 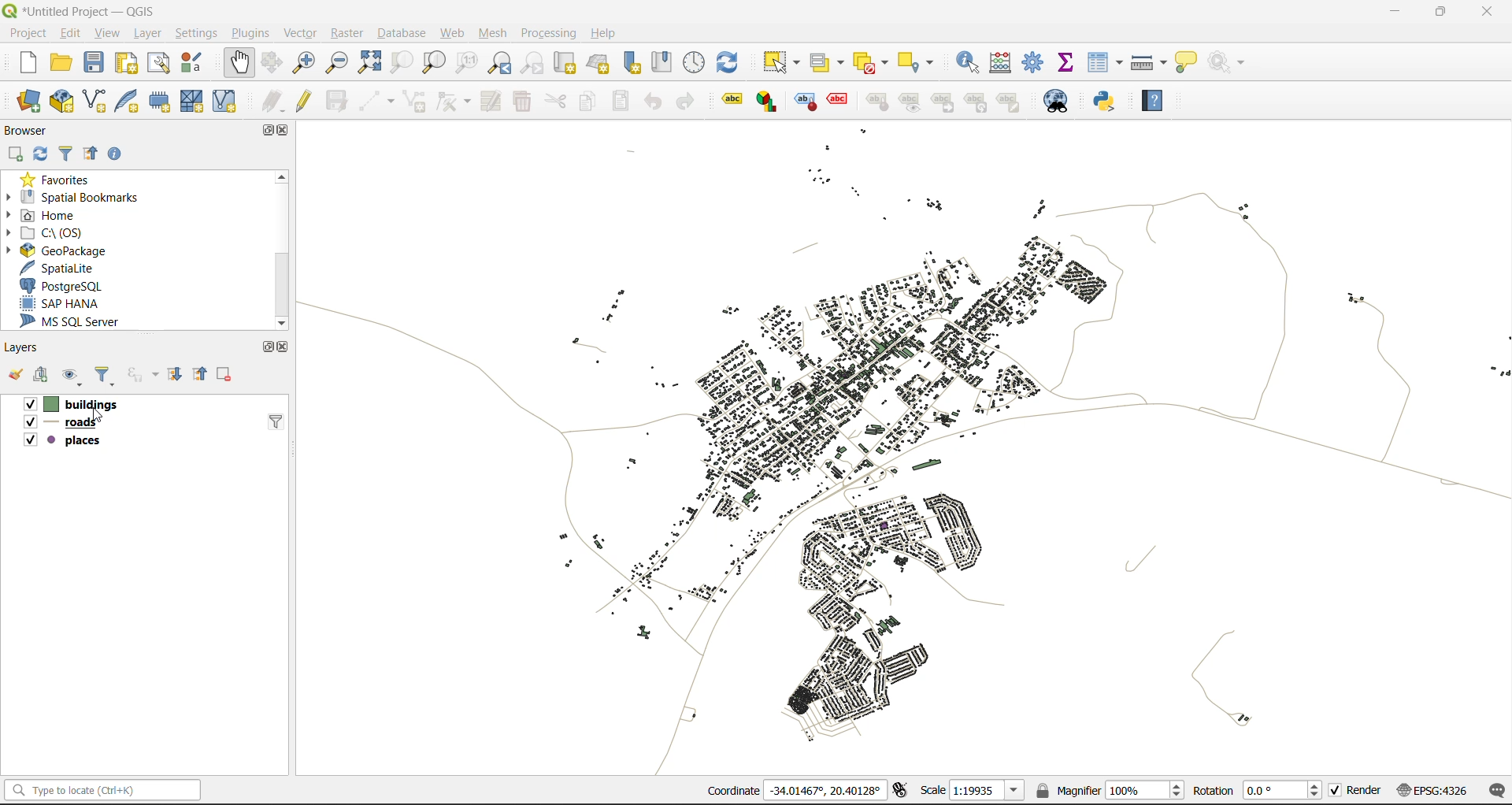 I want to click on close, so click(x=1487, y=13).